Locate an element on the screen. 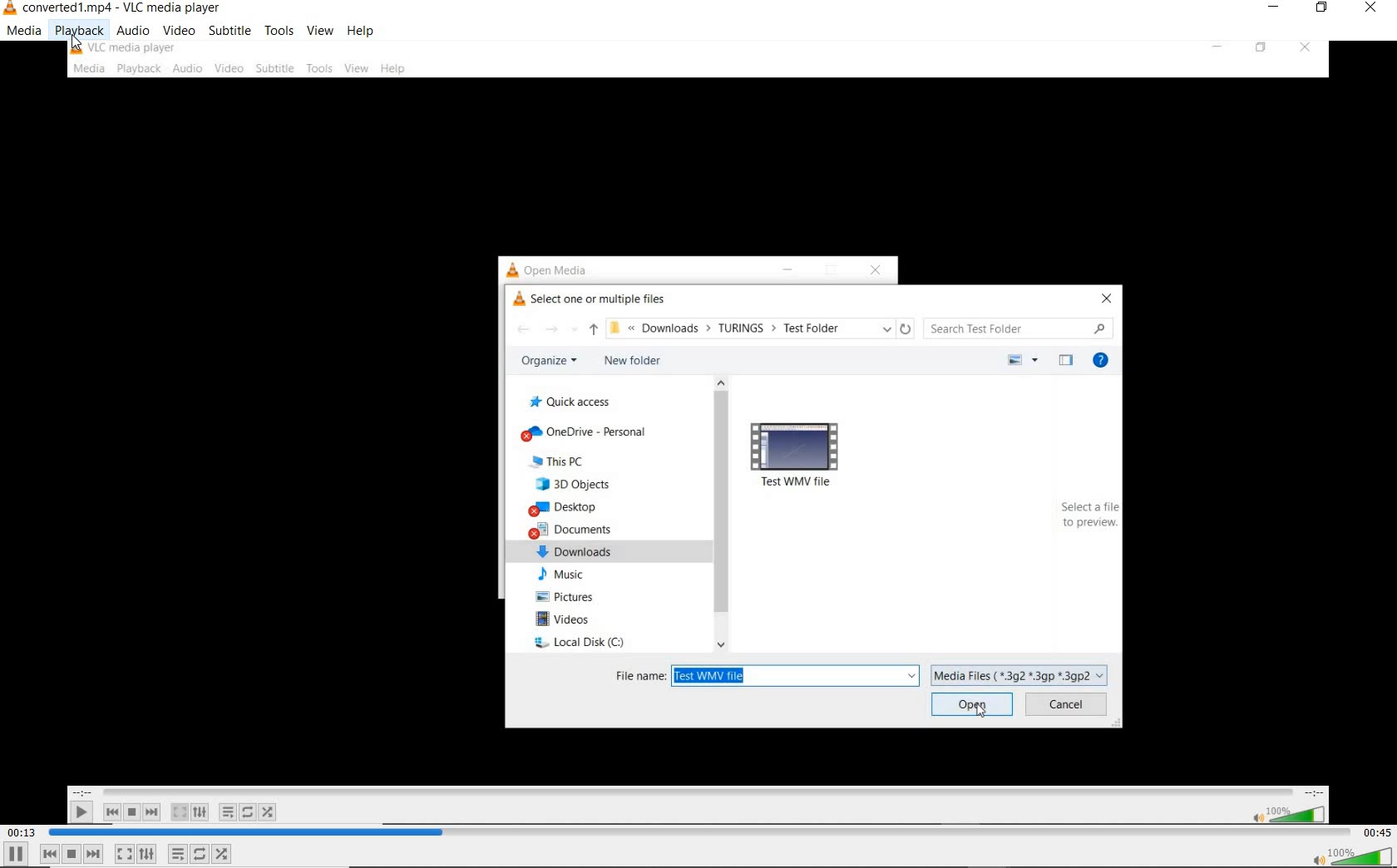 The image size is (1397, 868). tools is located at coordinates (279, 29).